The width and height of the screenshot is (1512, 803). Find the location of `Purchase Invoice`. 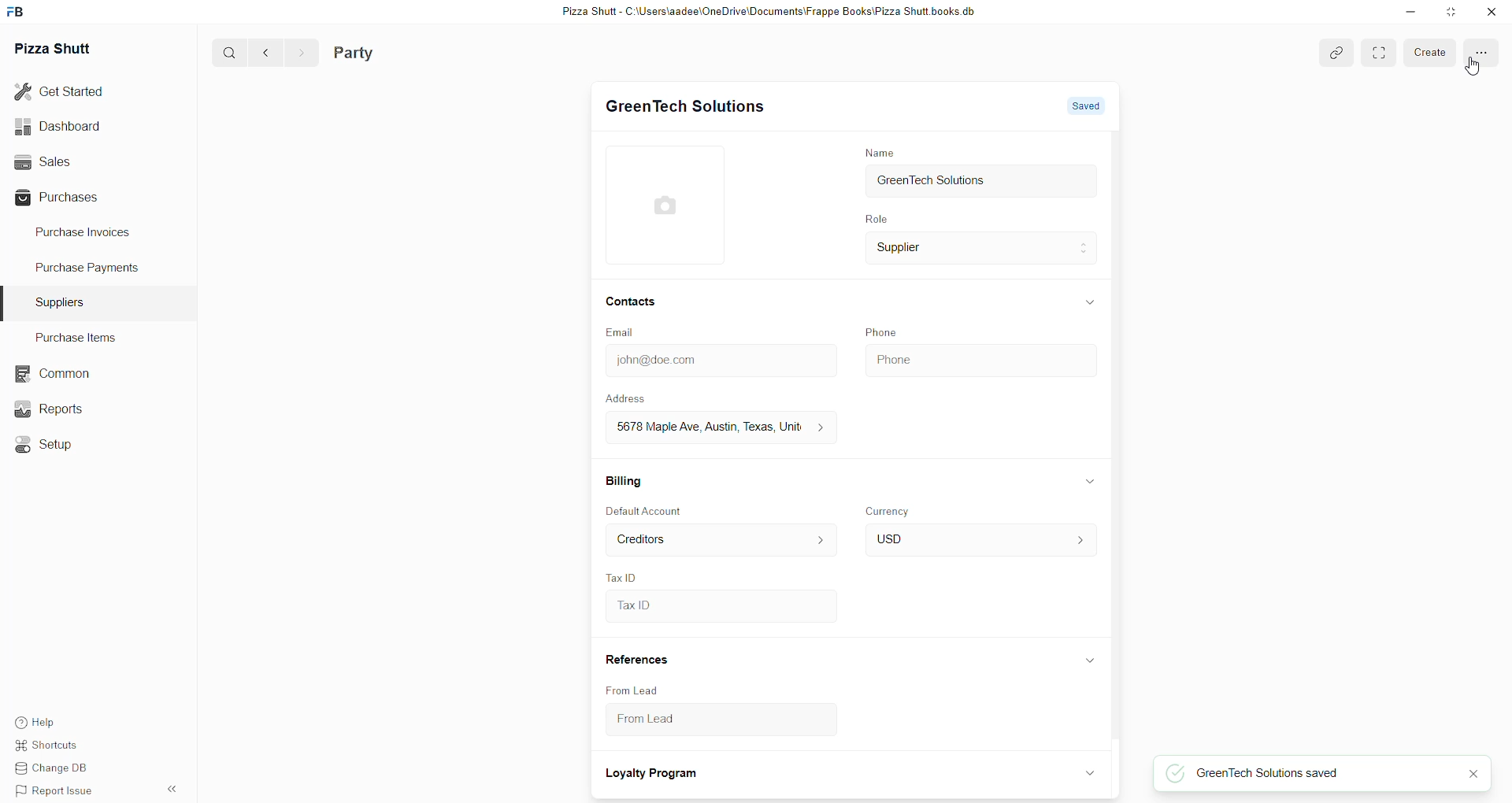

Purchase Invoice is located at coordinates (405, 52).